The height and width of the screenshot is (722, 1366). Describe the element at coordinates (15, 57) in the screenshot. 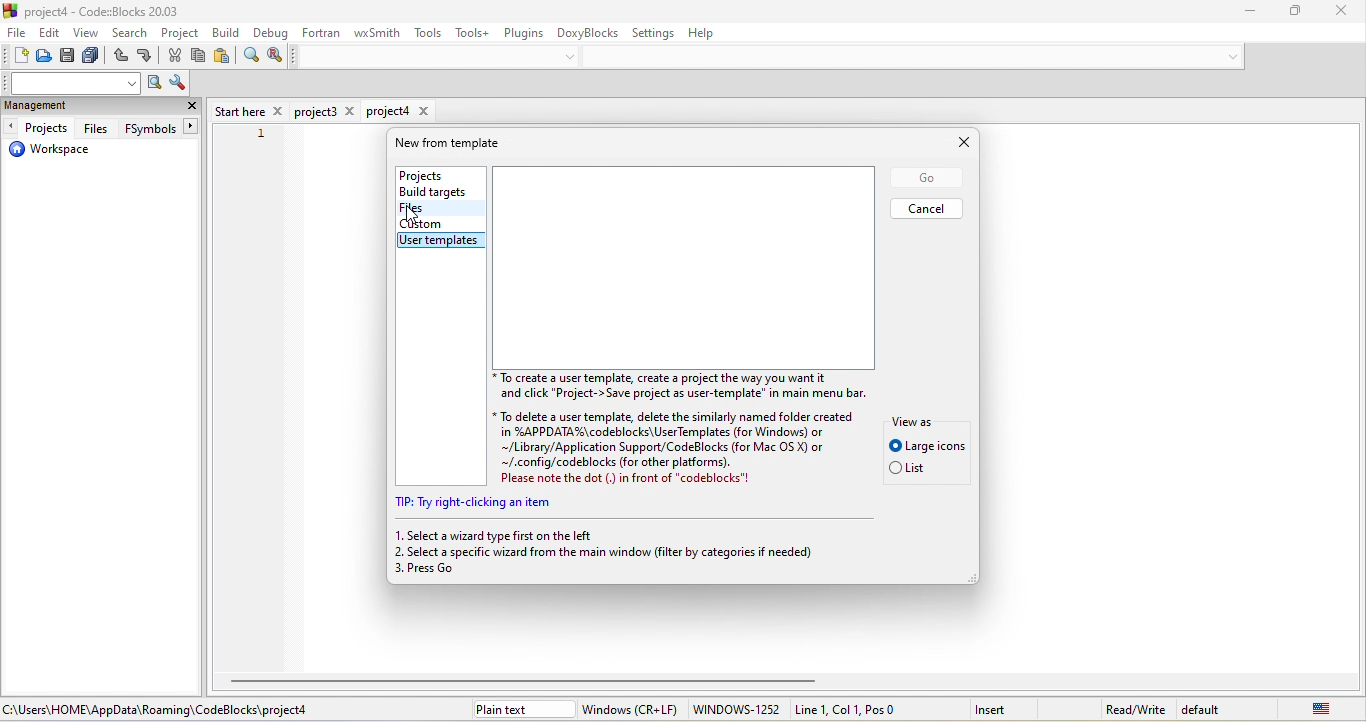

I see `new` at that location.